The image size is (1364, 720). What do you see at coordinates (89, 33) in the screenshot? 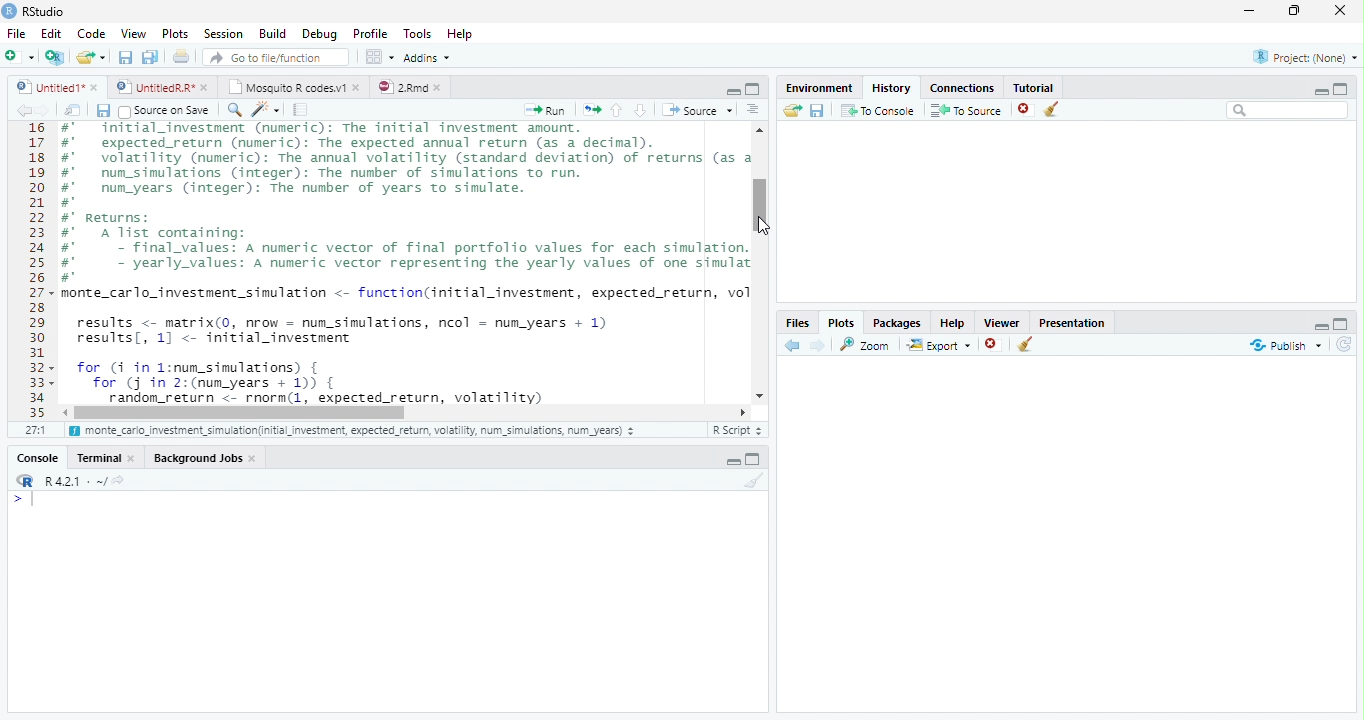
I see `Code` at bounding box center [89, 33].